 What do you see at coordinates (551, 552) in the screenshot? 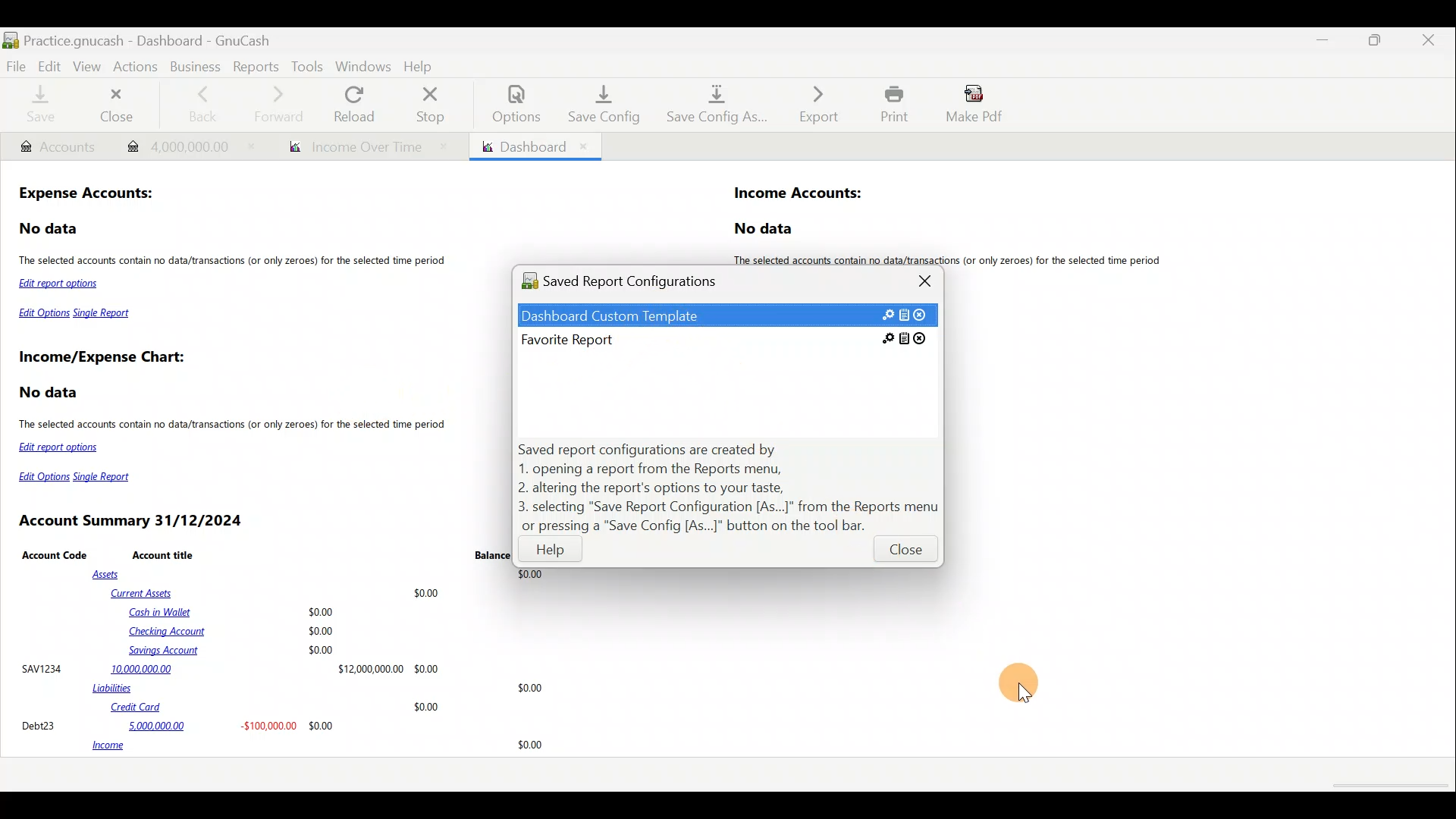
I see `Help` at bounding box center [551, 552].